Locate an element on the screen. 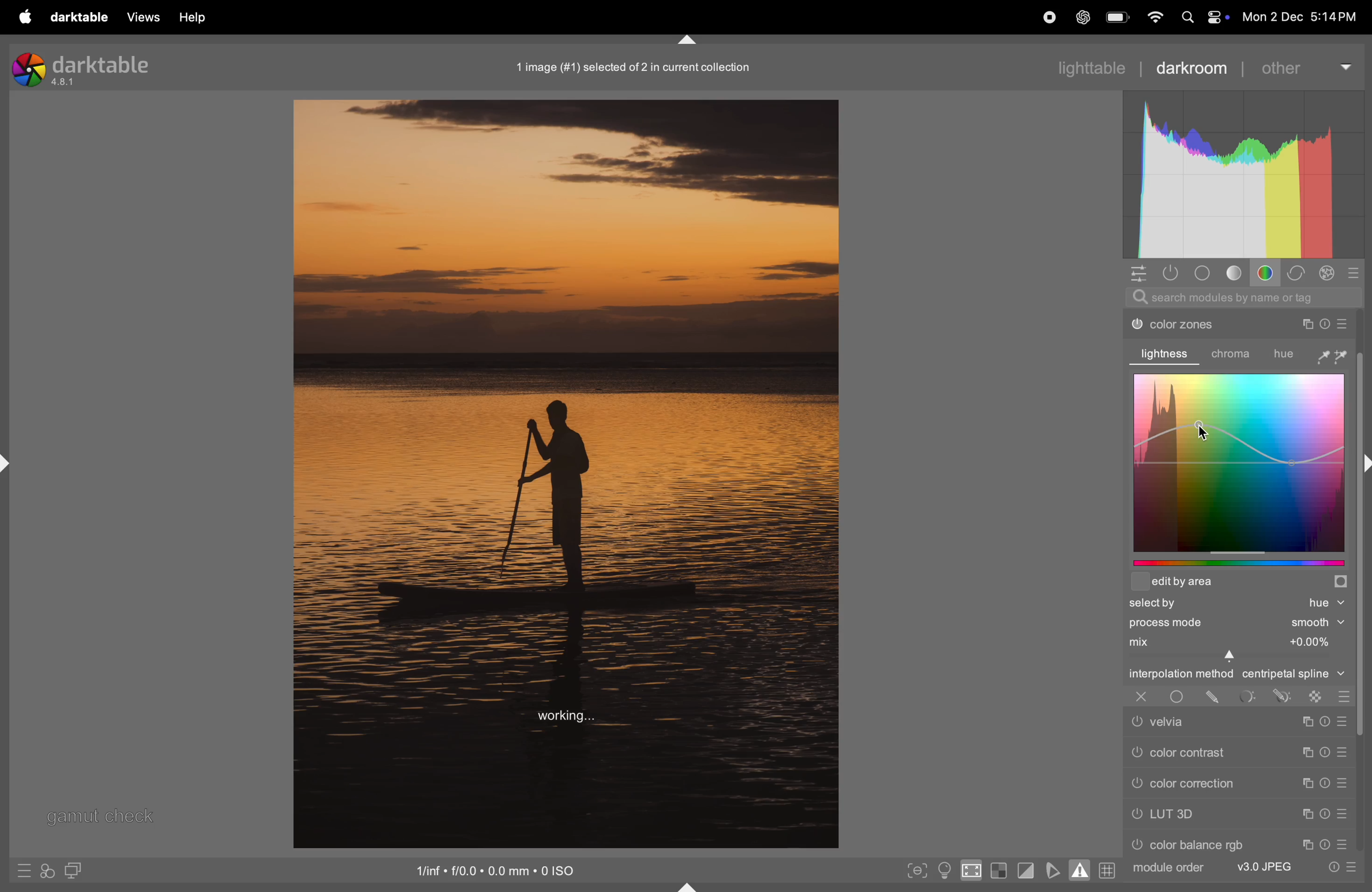 Image resolution: width=1372 pixels, height=892 pixels. Preset is located at coordinates (1344, 721).